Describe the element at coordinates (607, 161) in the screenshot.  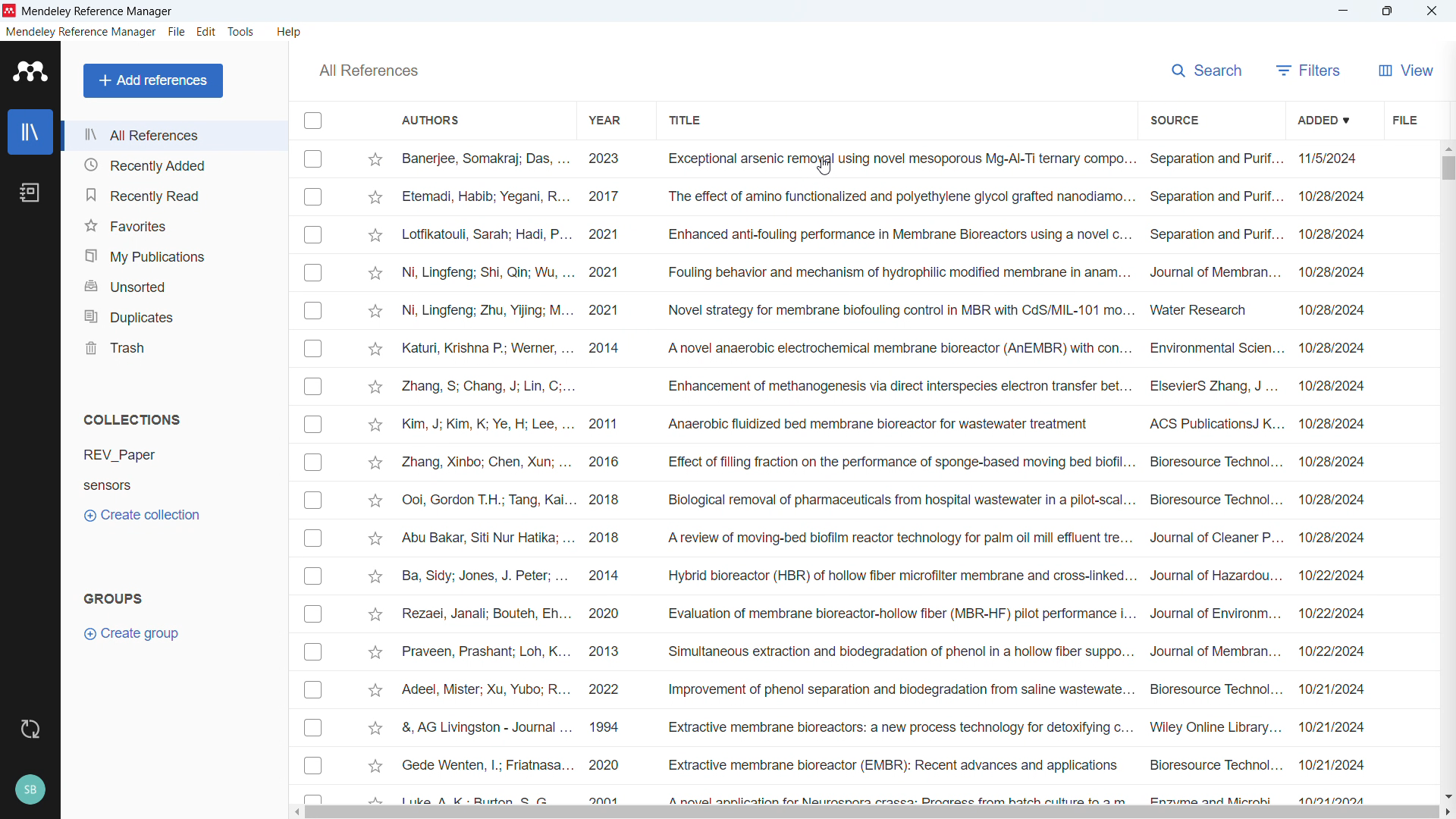
I see `2023` at that location.